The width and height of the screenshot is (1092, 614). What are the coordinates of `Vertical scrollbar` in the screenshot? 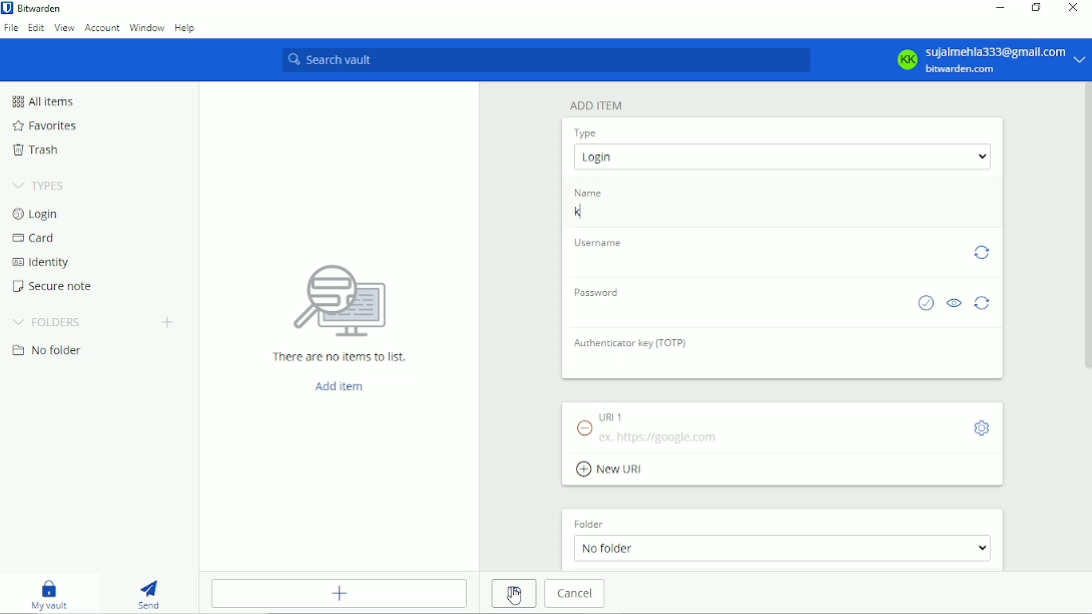 It's located at (1085, 227).